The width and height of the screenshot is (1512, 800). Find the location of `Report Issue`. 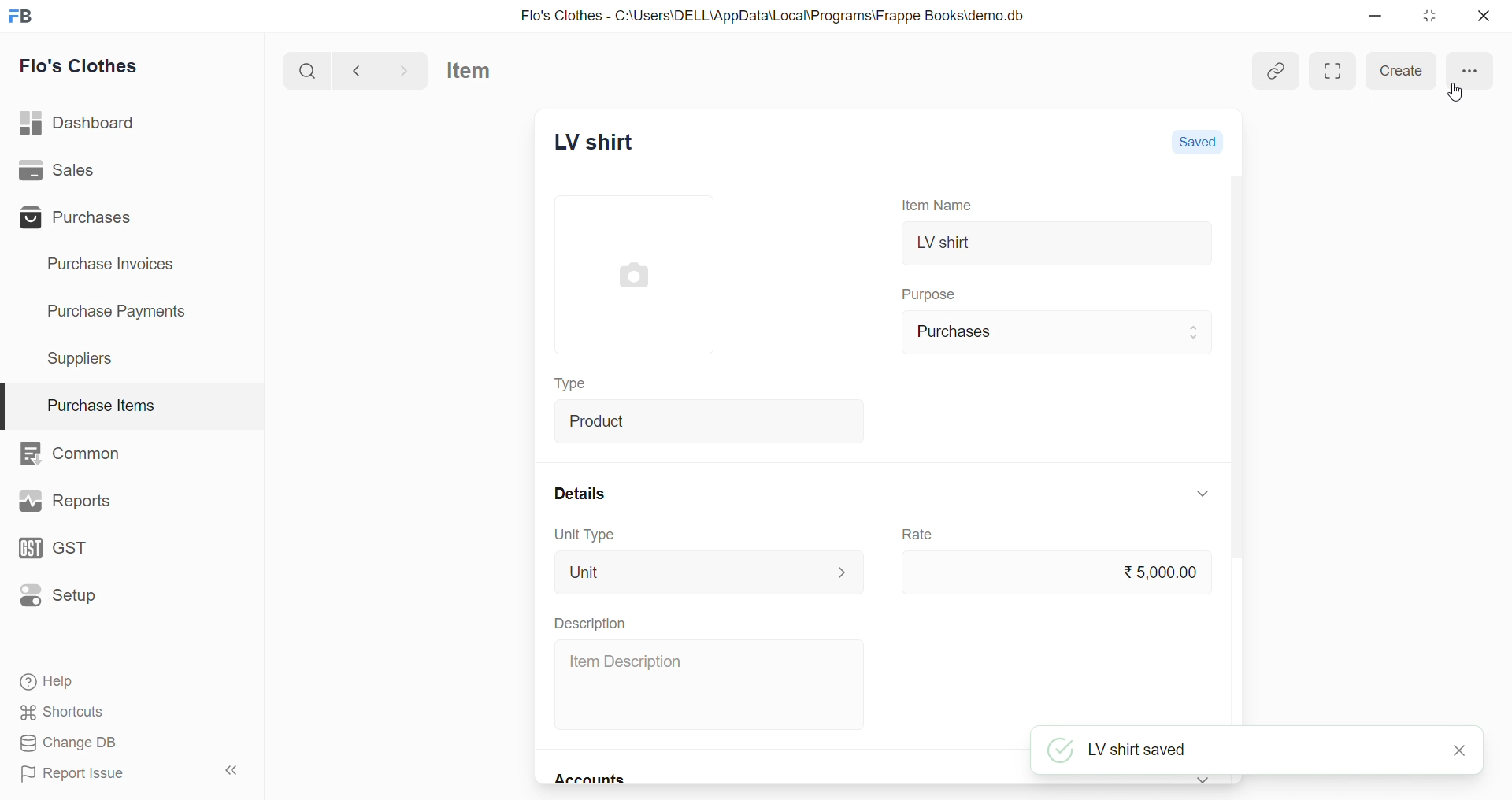

Report Issue is located at coordinates (98, 772).